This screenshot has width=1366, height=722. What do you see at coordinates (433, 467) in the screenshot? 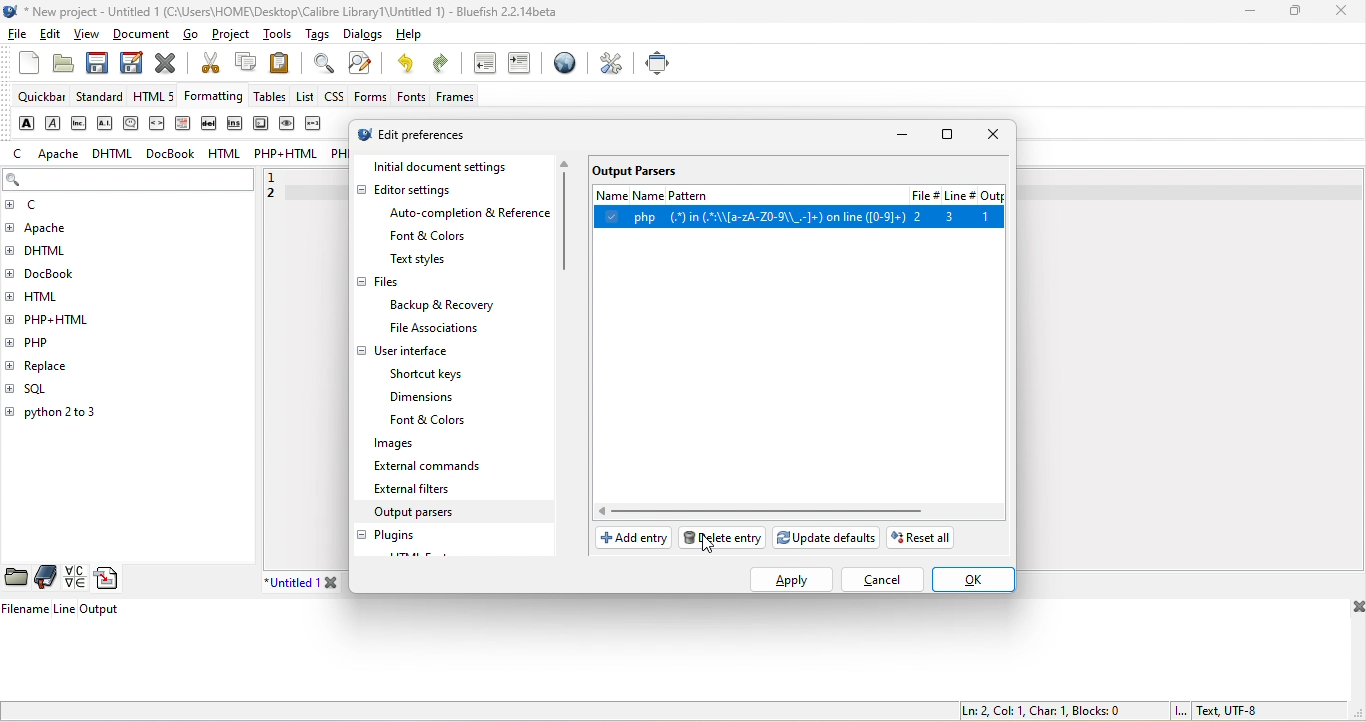
I see `external commands` at bounding box center [433, 467].